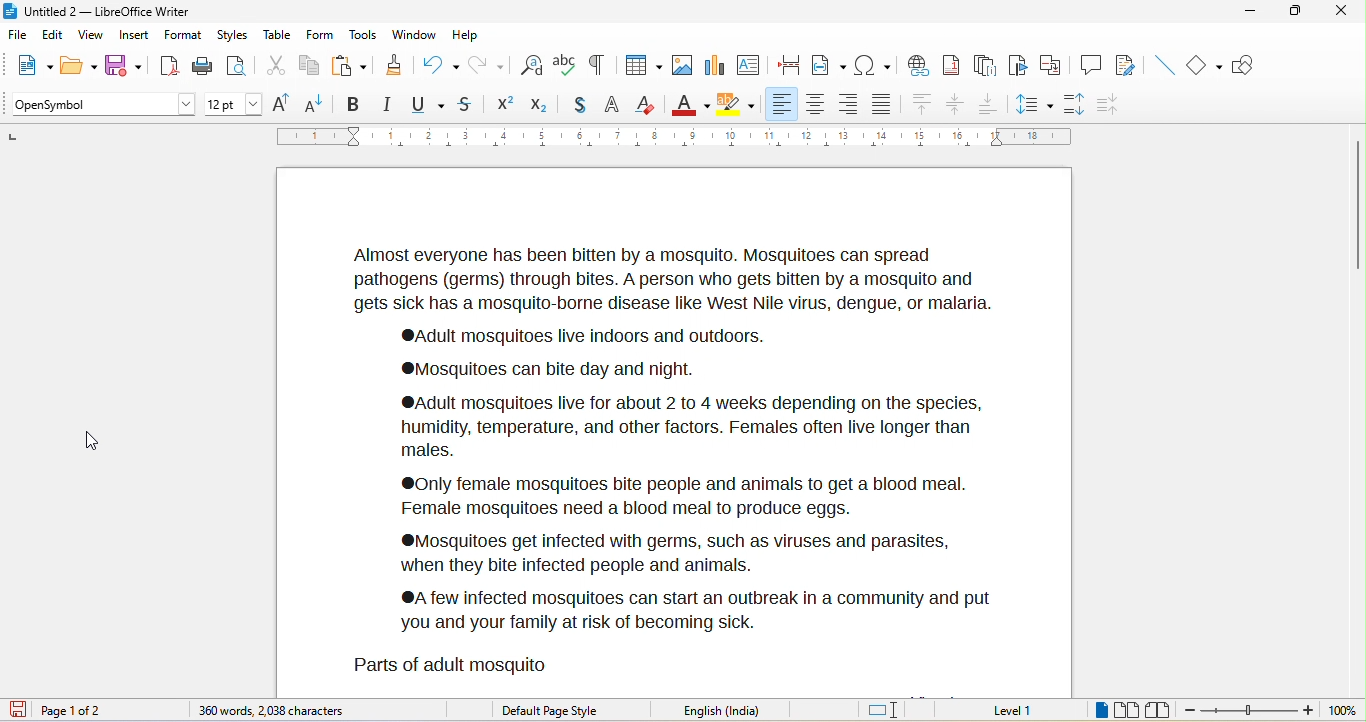  Describe the element at coordinates (682, 138) in the screenshot. I see `ruler` at that location.